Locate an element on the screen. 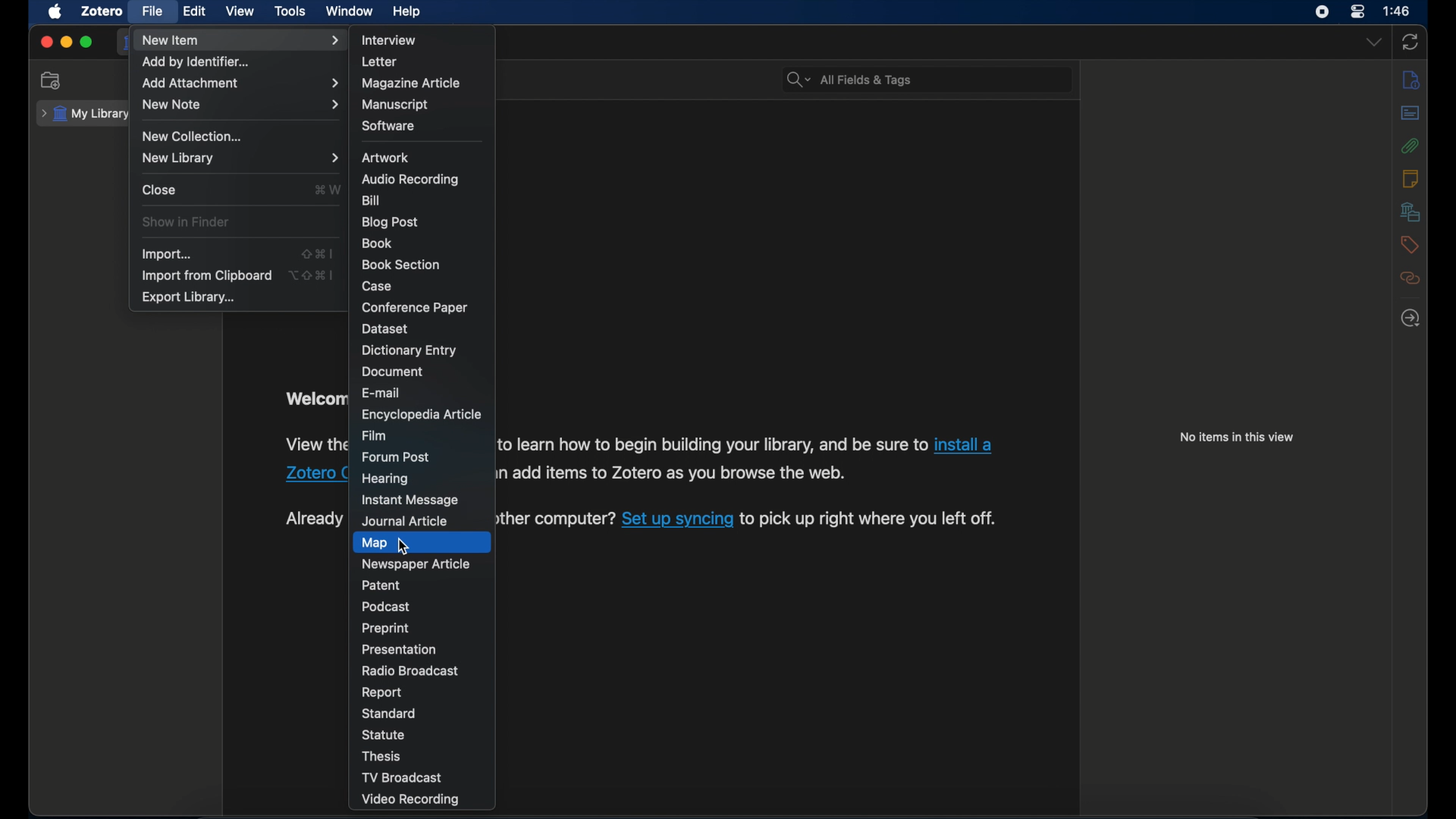 Image resolution: width=1456 pixels, height=819 pixels. close is located at coordinates (45, 42).